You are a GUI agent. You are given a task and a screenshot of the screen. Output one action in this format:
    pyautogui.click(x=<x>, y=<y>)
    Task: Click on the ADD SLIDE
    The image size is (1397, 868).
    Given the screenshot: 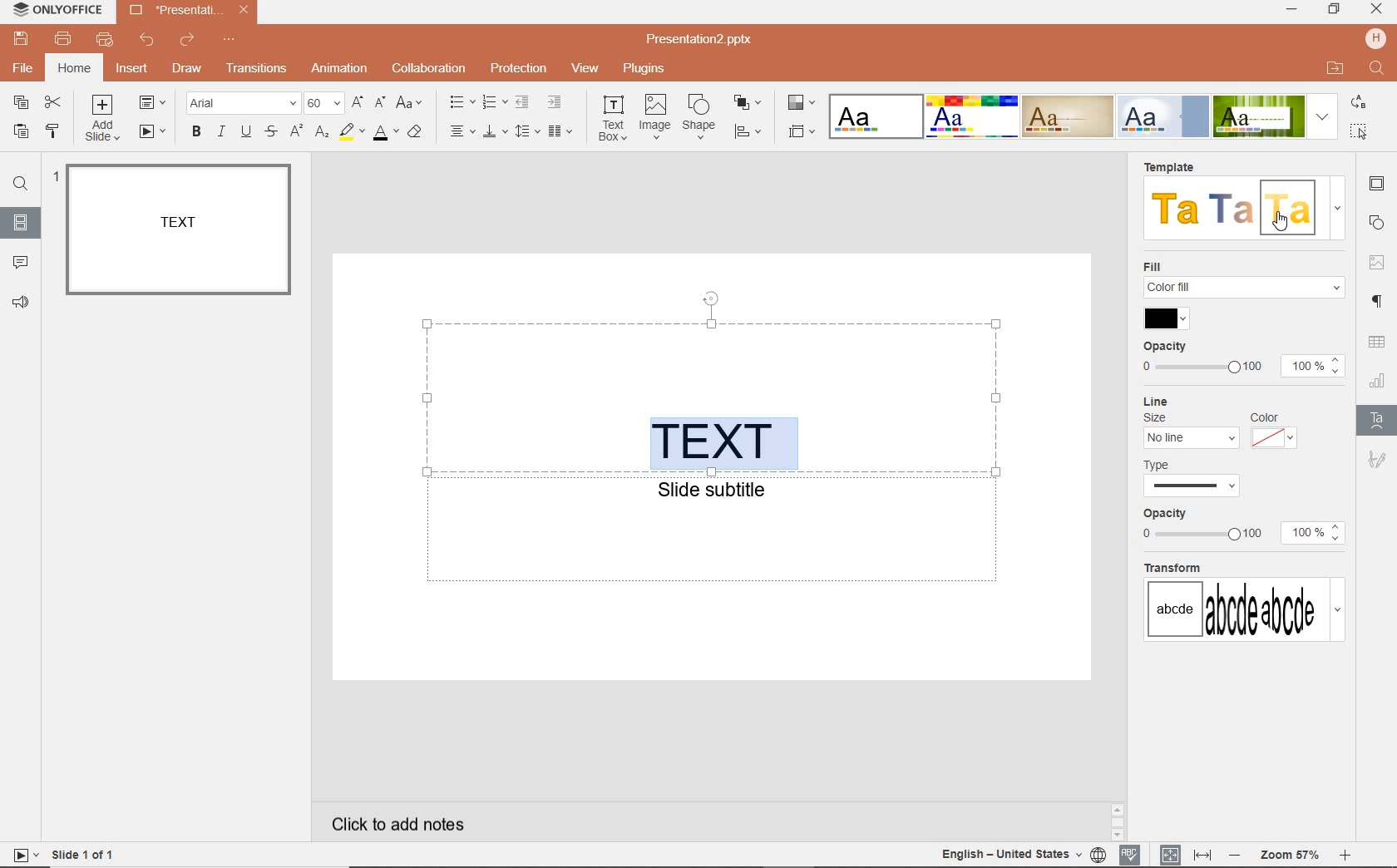 What is the action you would take?
    pyautogui.click(x=106, y=118)
    